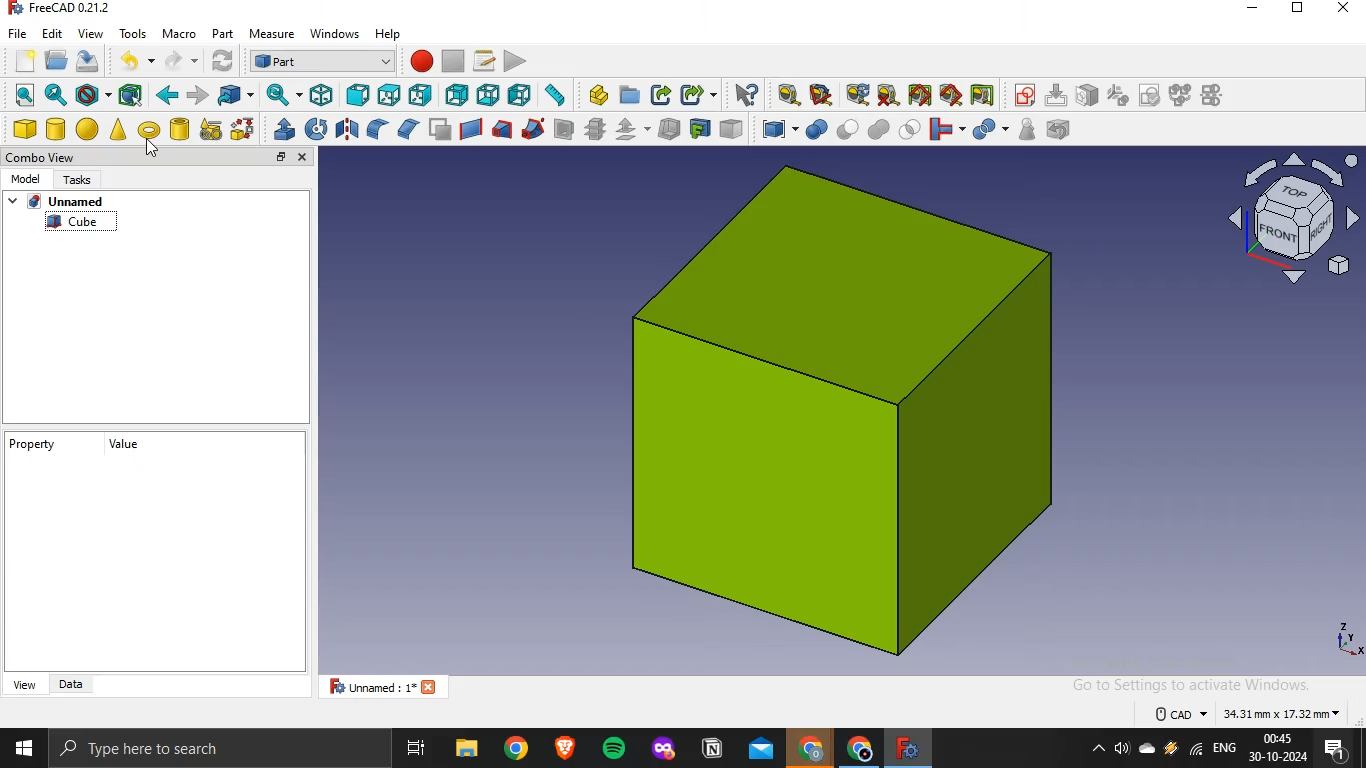 Image resolution: width=1366 pixels, height=768 pixels. What do you see at coordinates (1061, 130) in the screenshot?
I see `defeaturing` at bounding box center [1061, 130].